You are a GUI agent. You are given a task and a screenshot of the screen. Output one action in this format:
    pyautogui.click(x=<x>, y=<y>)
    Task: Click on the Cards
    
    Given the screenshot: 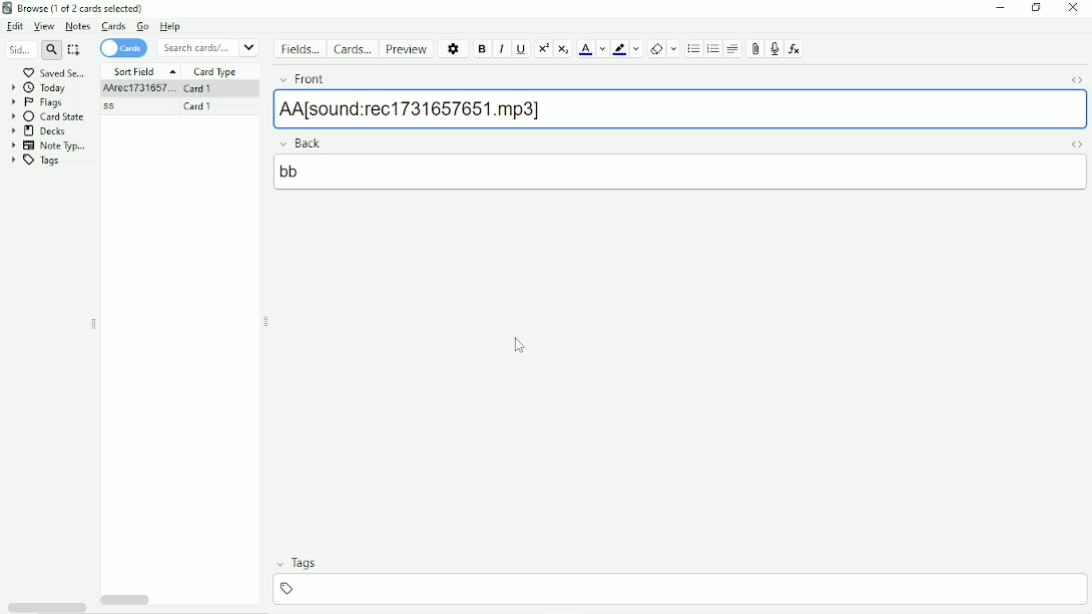 What is the action you would take?
    pyautogui.click(x=351, y=49)
    